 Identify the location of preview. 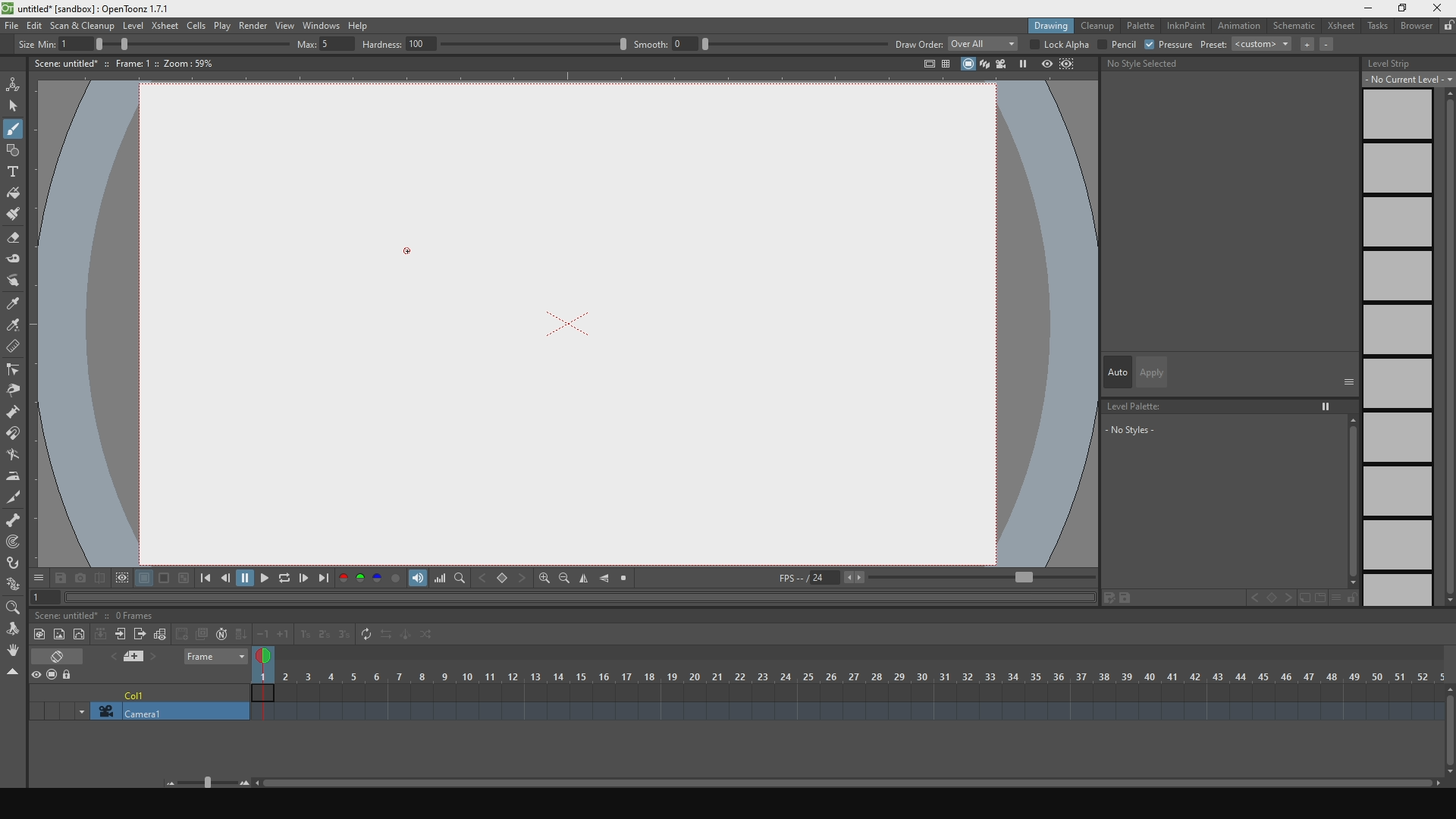
(1045, 65).